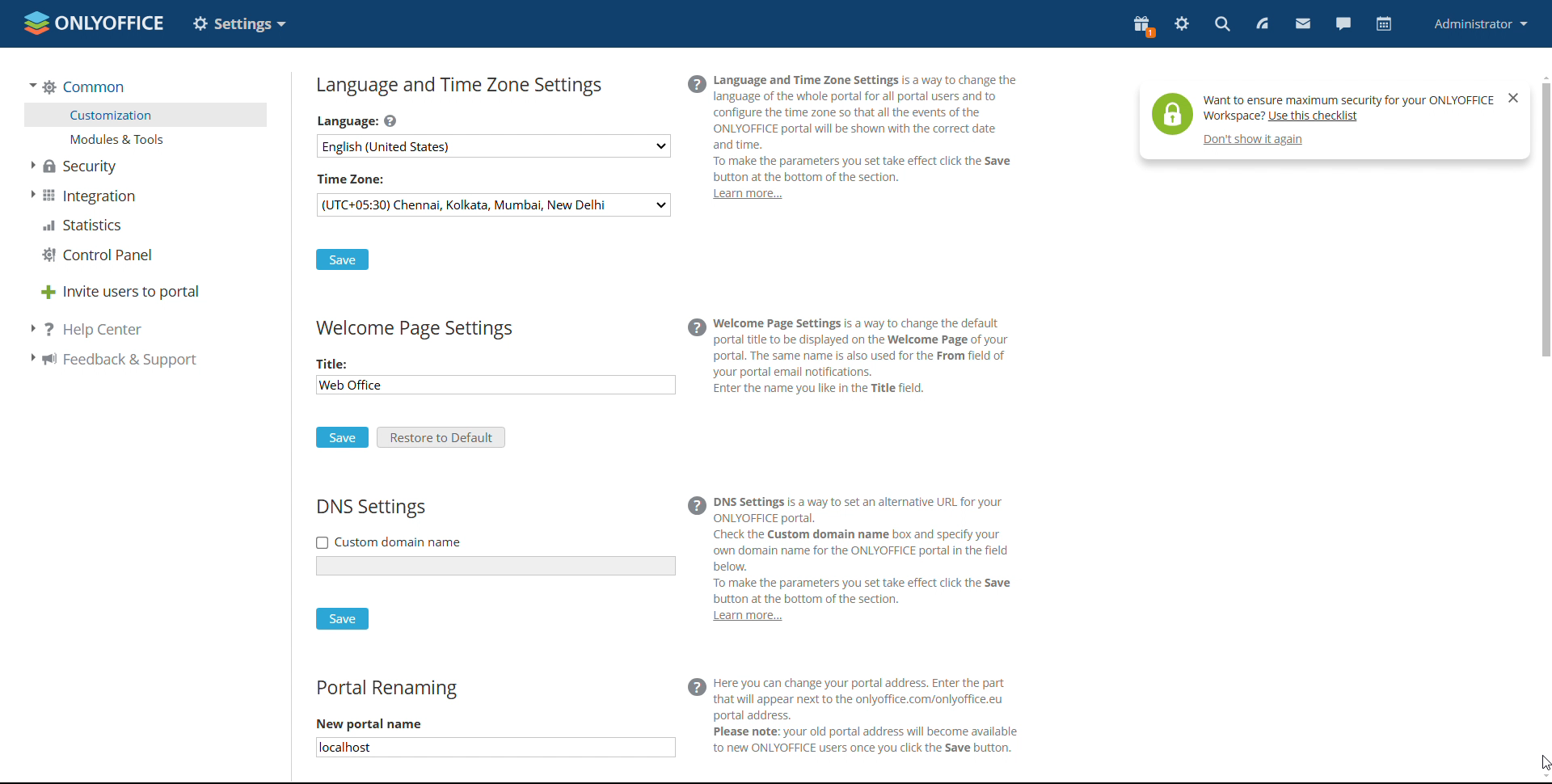 Image resolution: width=1552 pixels, height=784 pixels. I want to click on option changed, so click(239, 23).